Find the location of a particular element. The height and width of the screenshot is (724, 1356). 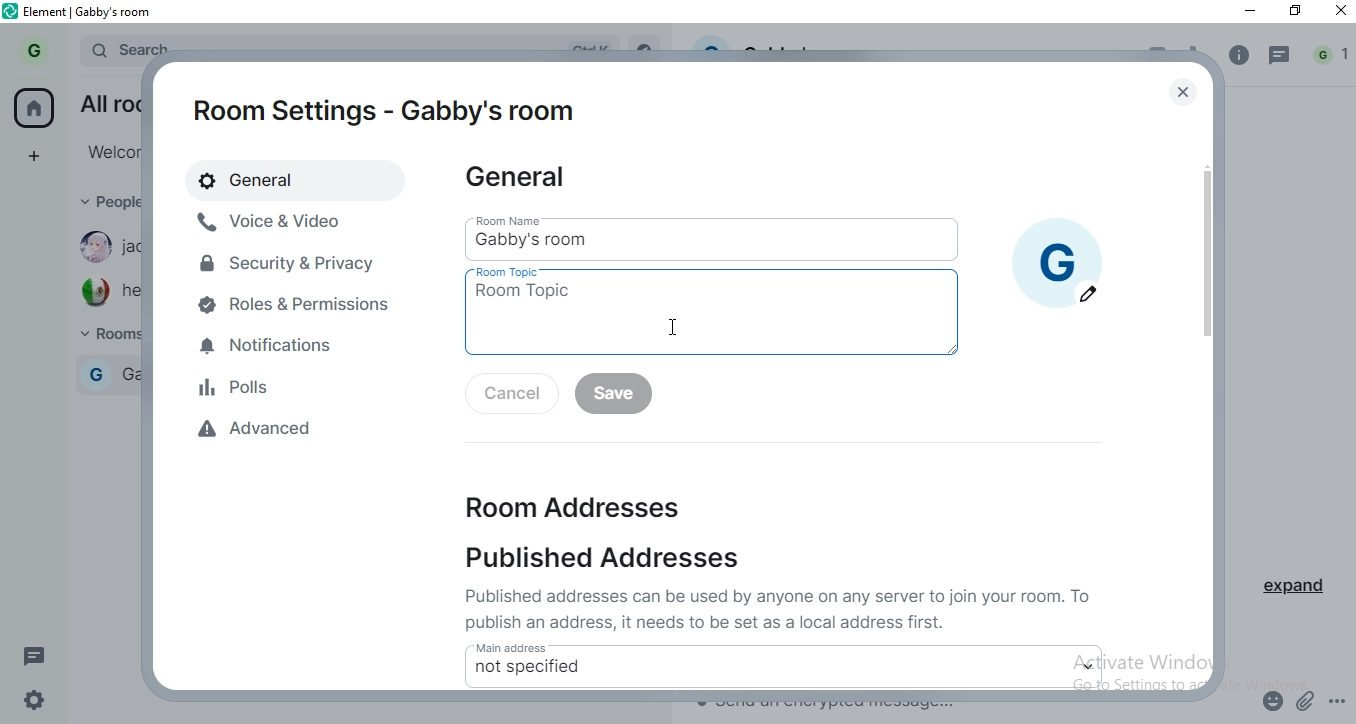

expand is located at coordinates (1302, 591).